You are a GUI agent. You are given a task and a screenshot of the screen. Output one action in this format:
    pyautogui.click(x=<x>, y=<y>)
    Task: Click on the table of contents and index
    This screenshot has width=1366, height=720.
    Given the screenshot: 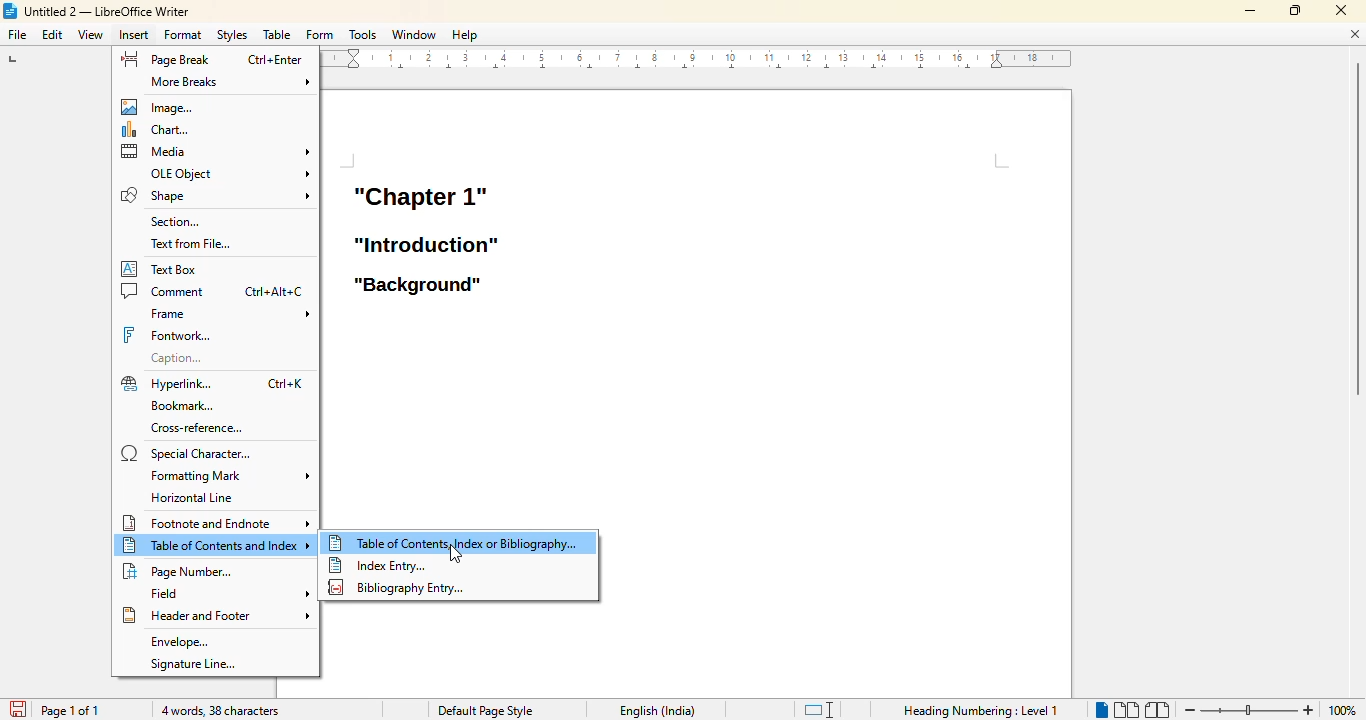 What is the action you would take?
    pyautogui.click(x=217, y=545)
    